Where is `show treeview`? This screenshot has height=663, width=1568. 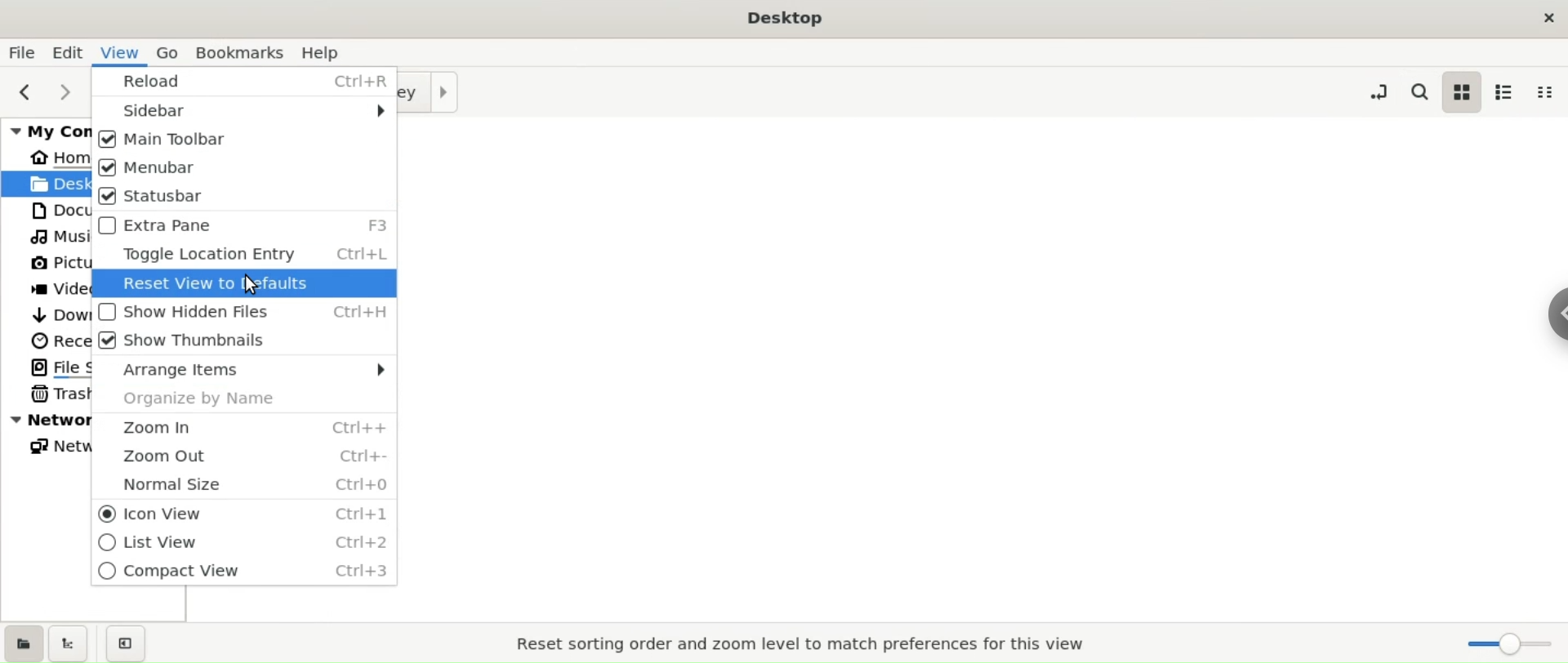 show treeview is located at coordinates (70, 643).